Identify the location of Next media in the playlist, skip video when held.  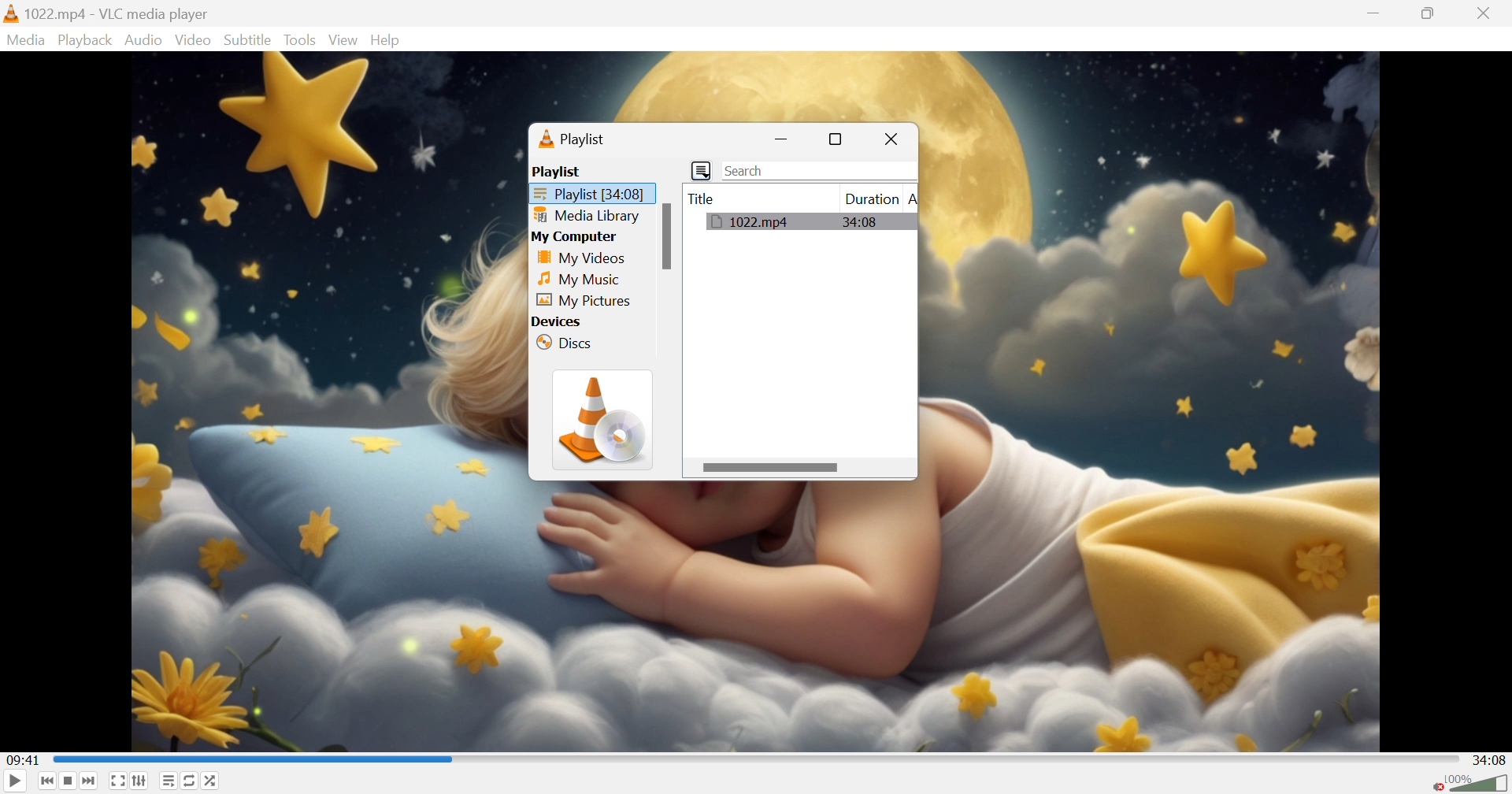
(90, 781).